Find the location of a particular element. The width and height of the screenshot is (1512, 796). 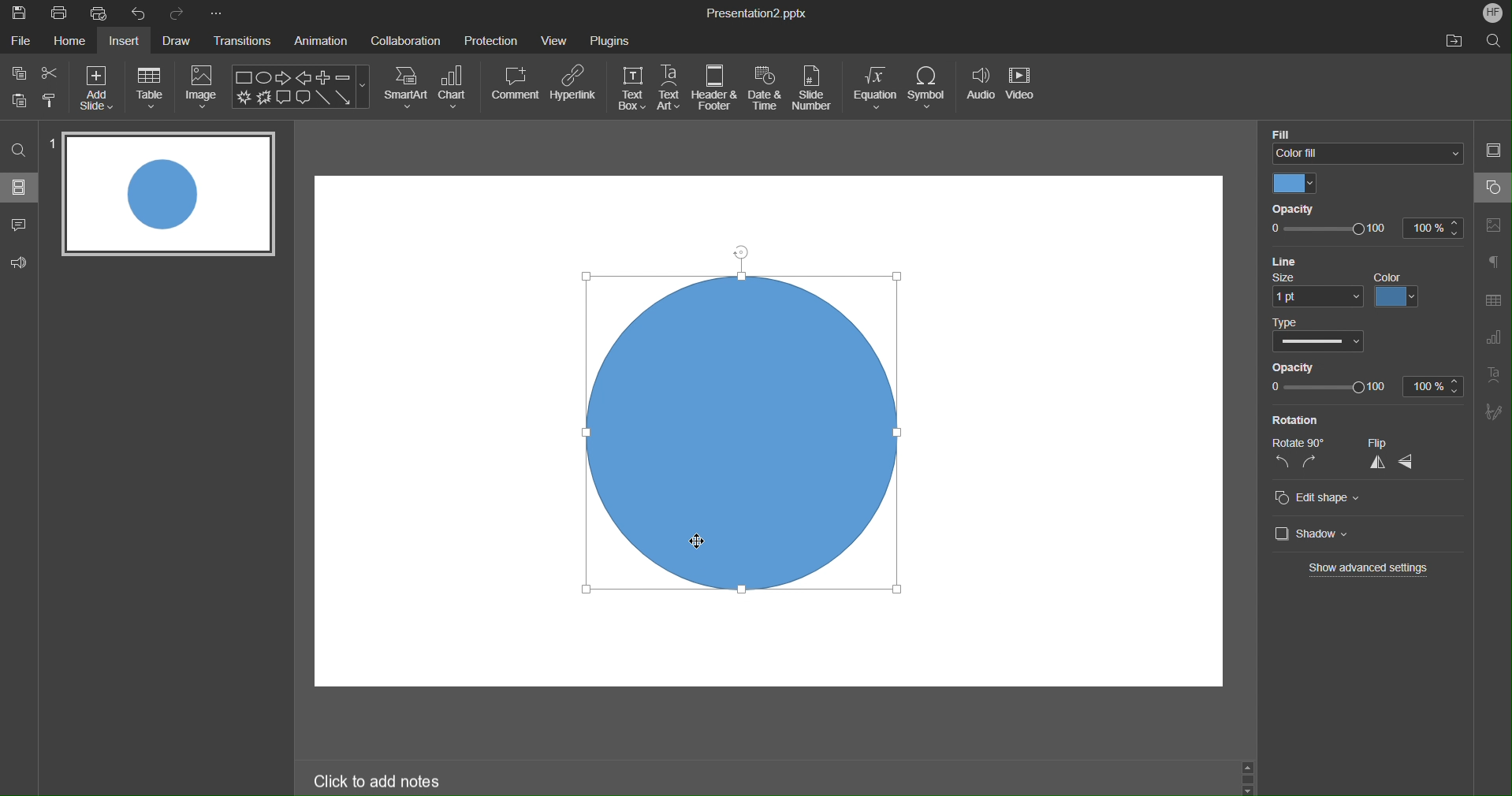

Redo is located at coordinates (178, 13).